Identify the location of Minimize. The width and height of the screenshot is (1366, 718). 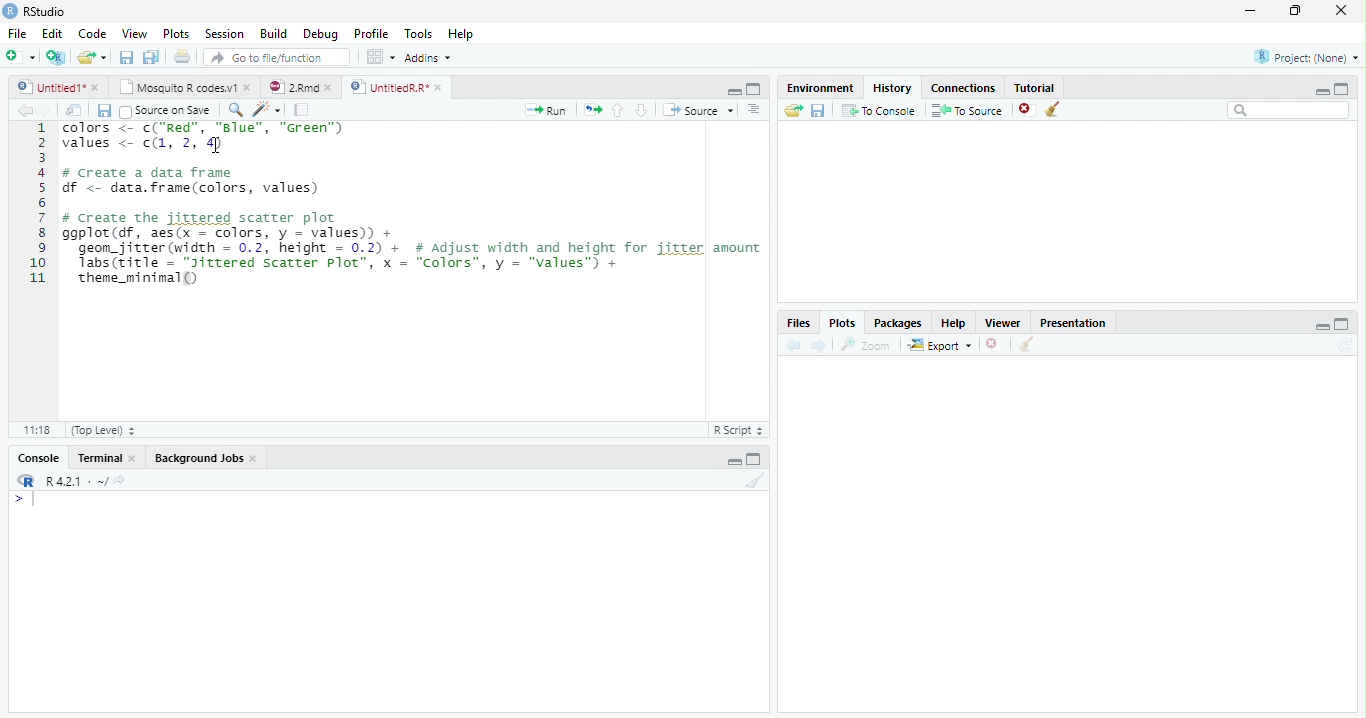
(1321, 91).